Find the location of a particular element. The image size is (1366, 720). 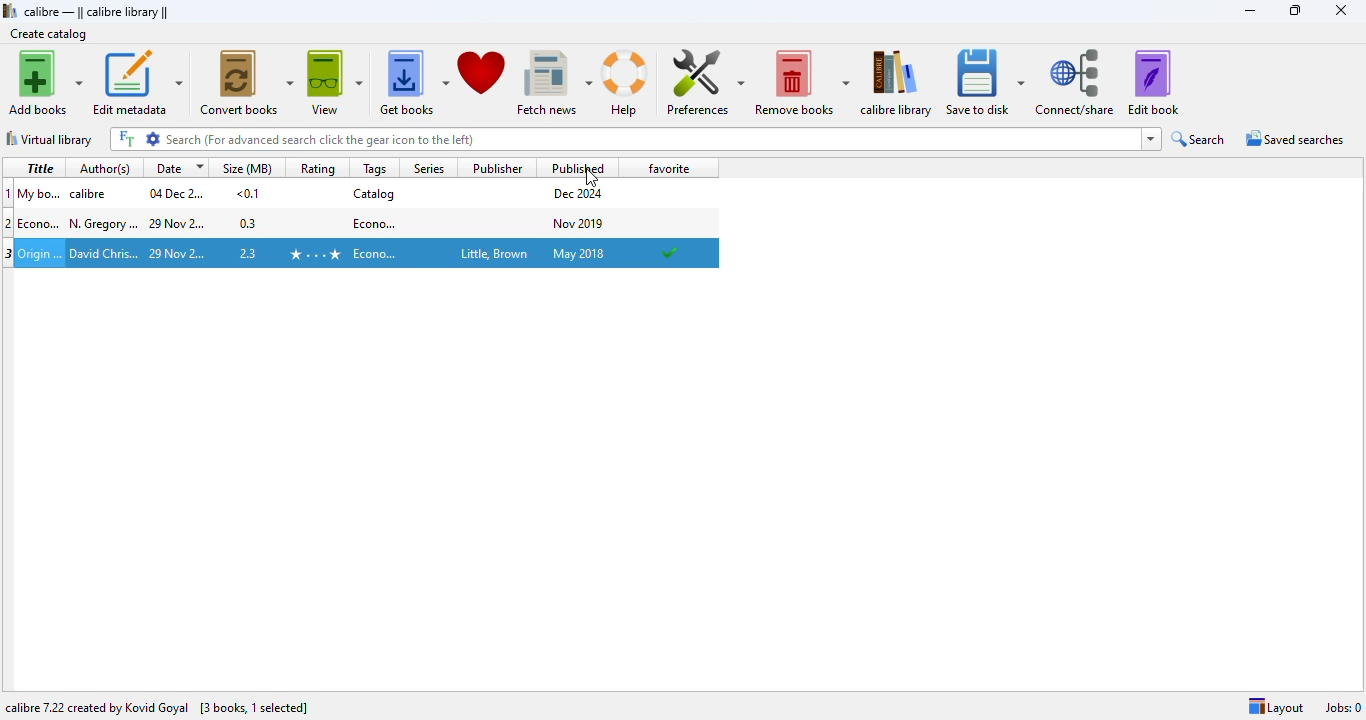

donate to support calibre is located at coordinates (482, 74).